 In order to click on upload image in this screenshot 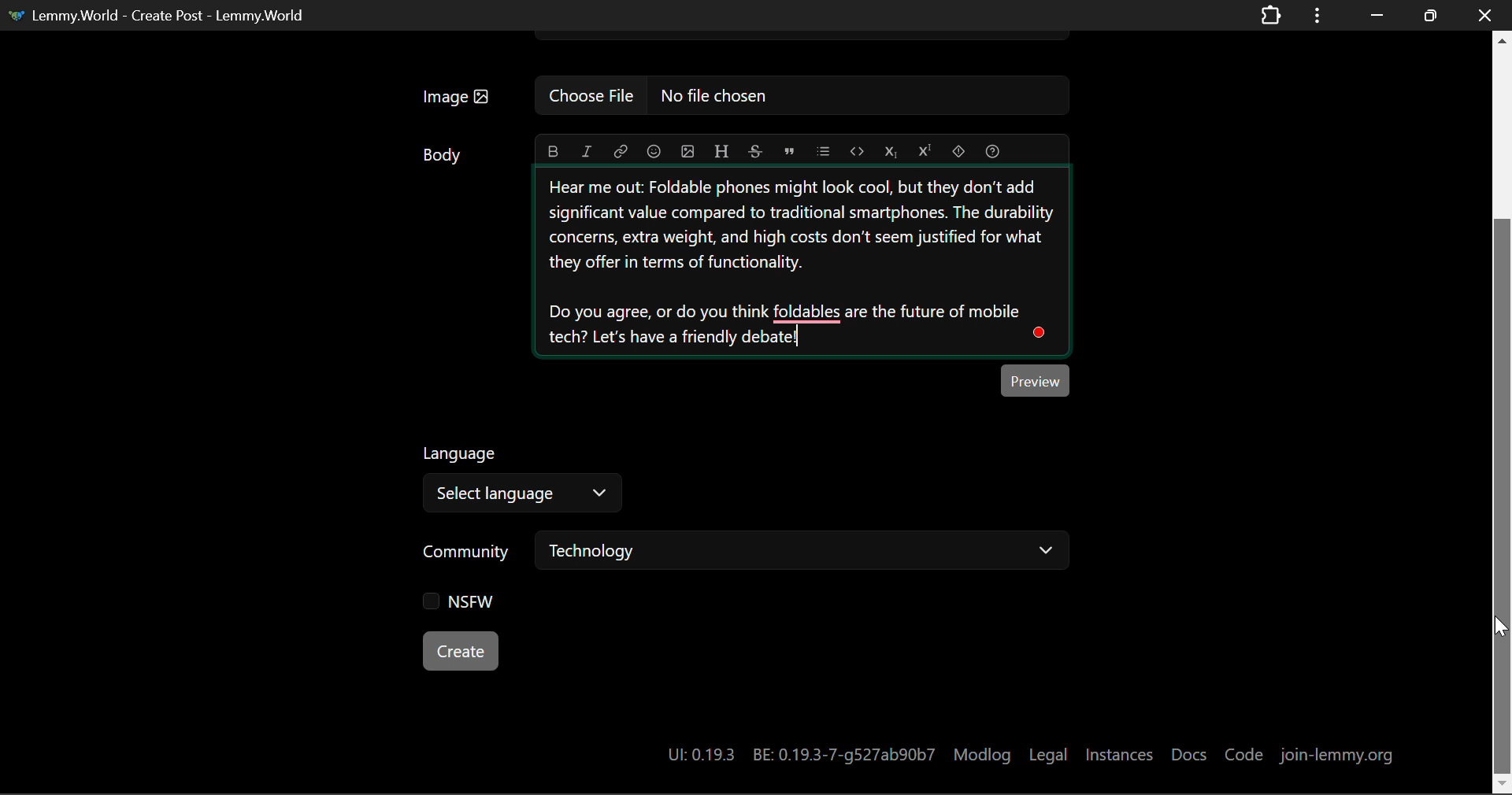, I will do `click(688, 152)`.